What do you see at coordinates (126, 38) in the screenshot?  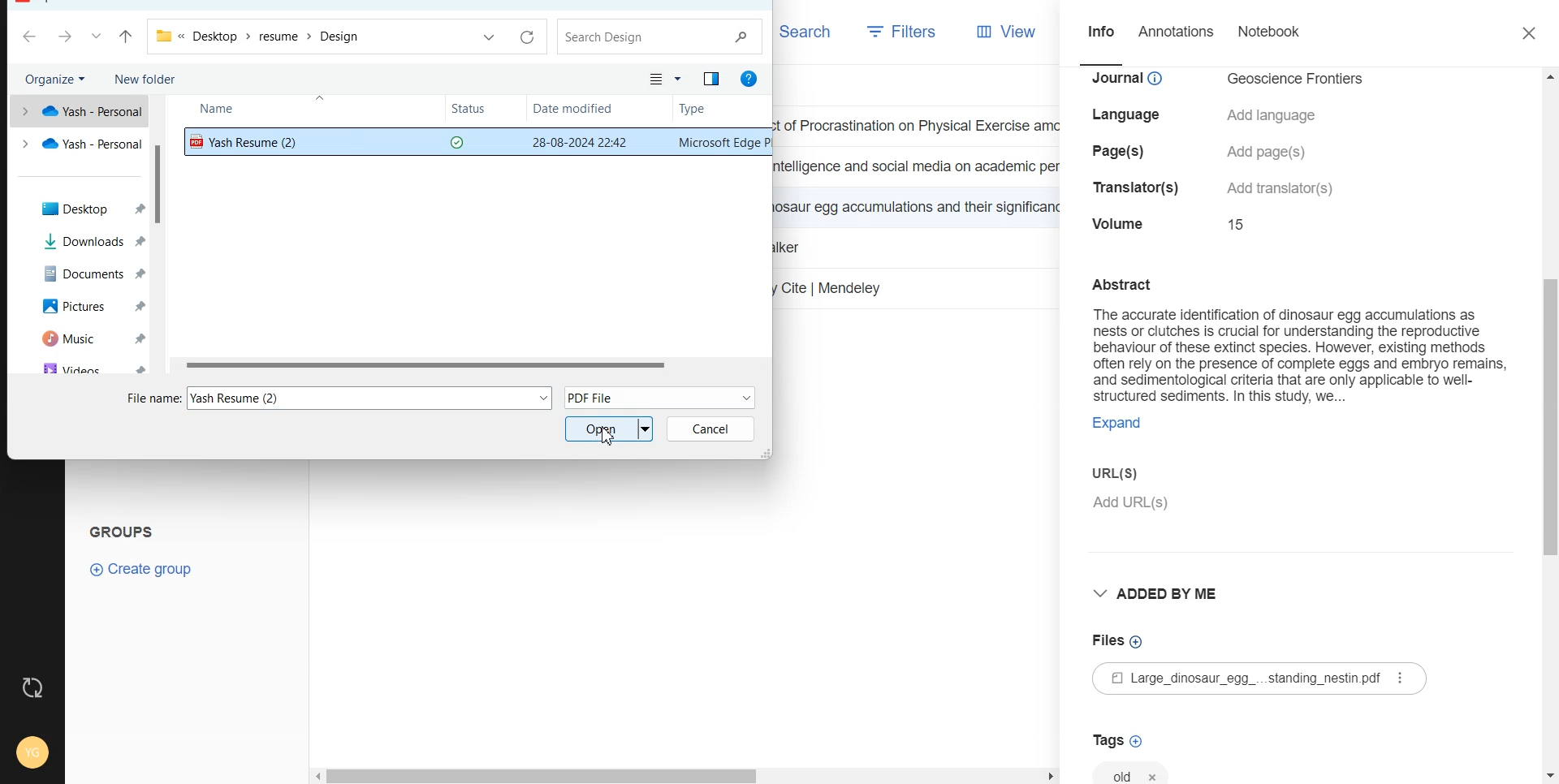 I see `Up to` at bounding box center [126, 38].